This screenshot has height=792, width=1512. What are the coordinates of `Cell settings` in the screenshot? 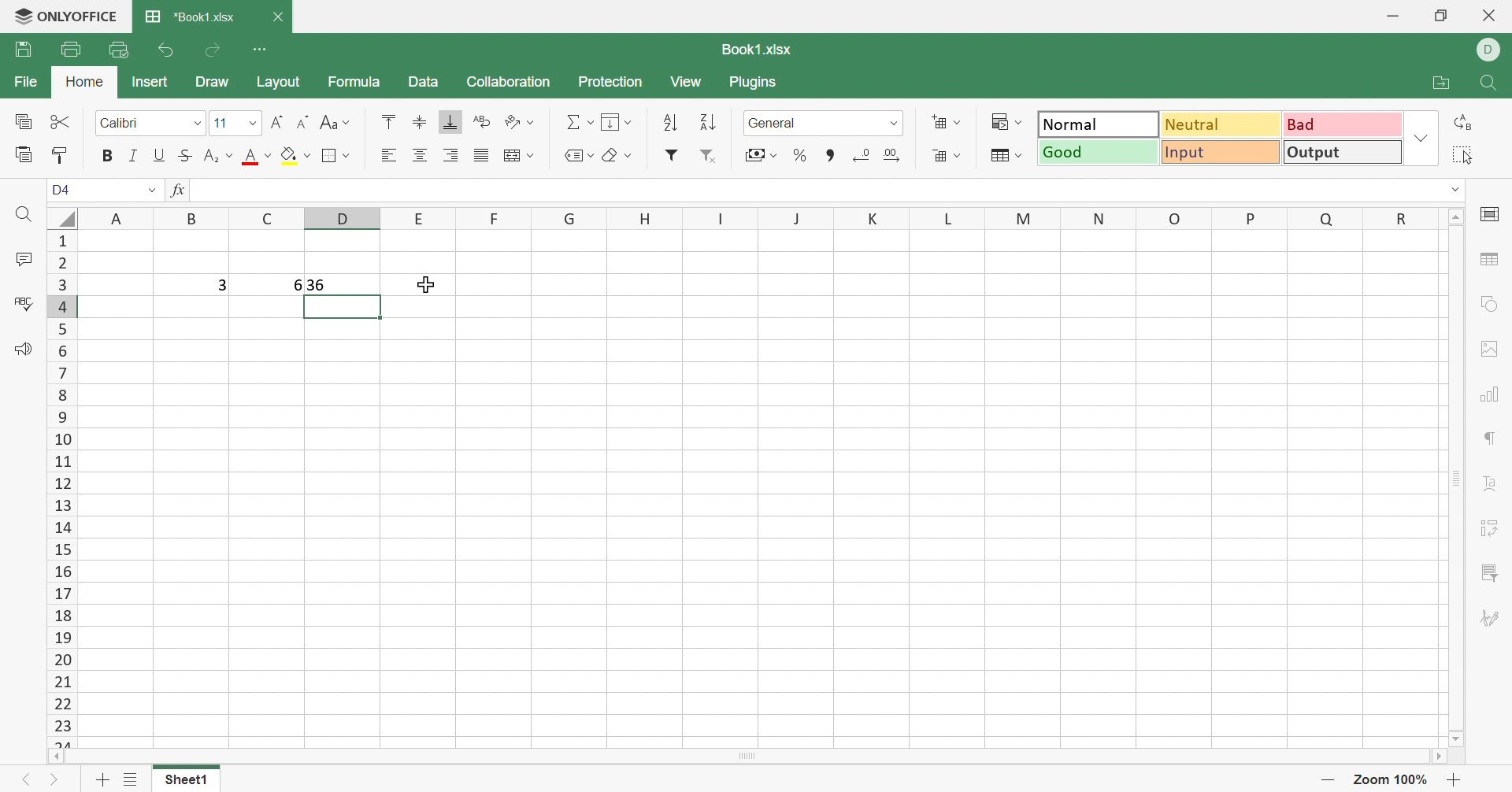 It's located at (1493, 213).